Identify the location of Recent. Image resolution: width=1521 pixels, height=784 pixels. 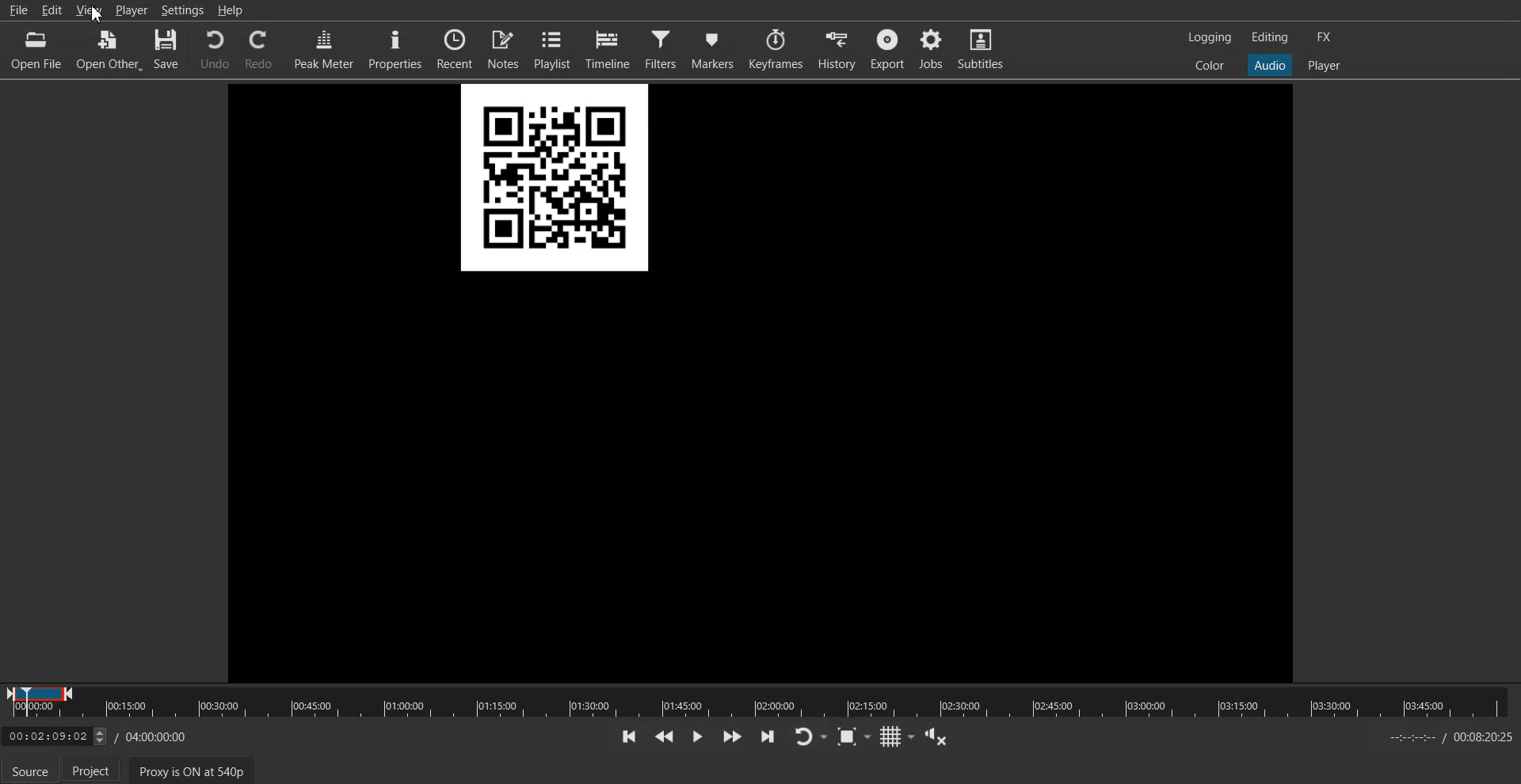
(456, 48).